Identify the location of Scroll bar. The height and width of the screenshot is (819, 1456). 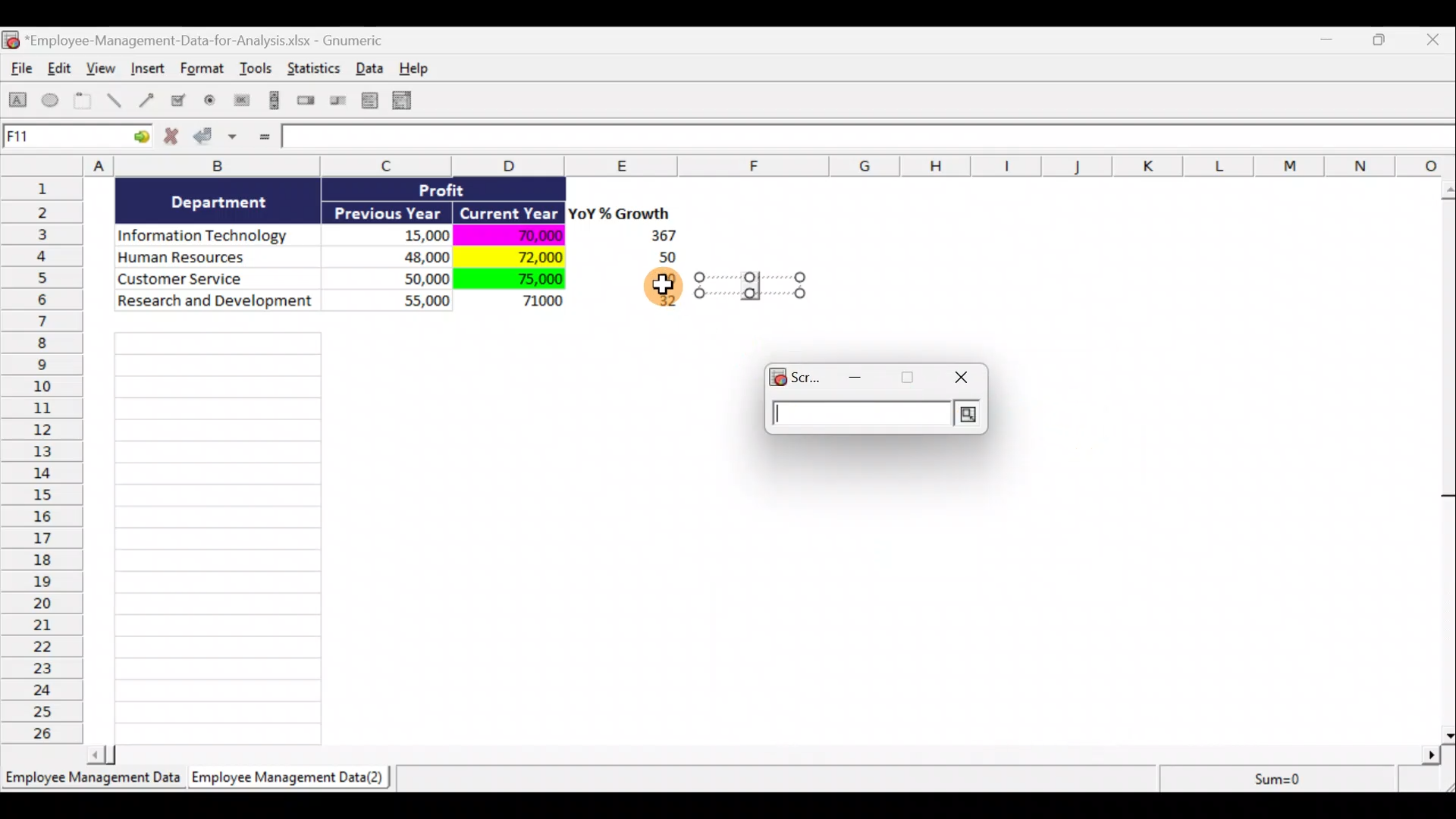
(1446, 458).